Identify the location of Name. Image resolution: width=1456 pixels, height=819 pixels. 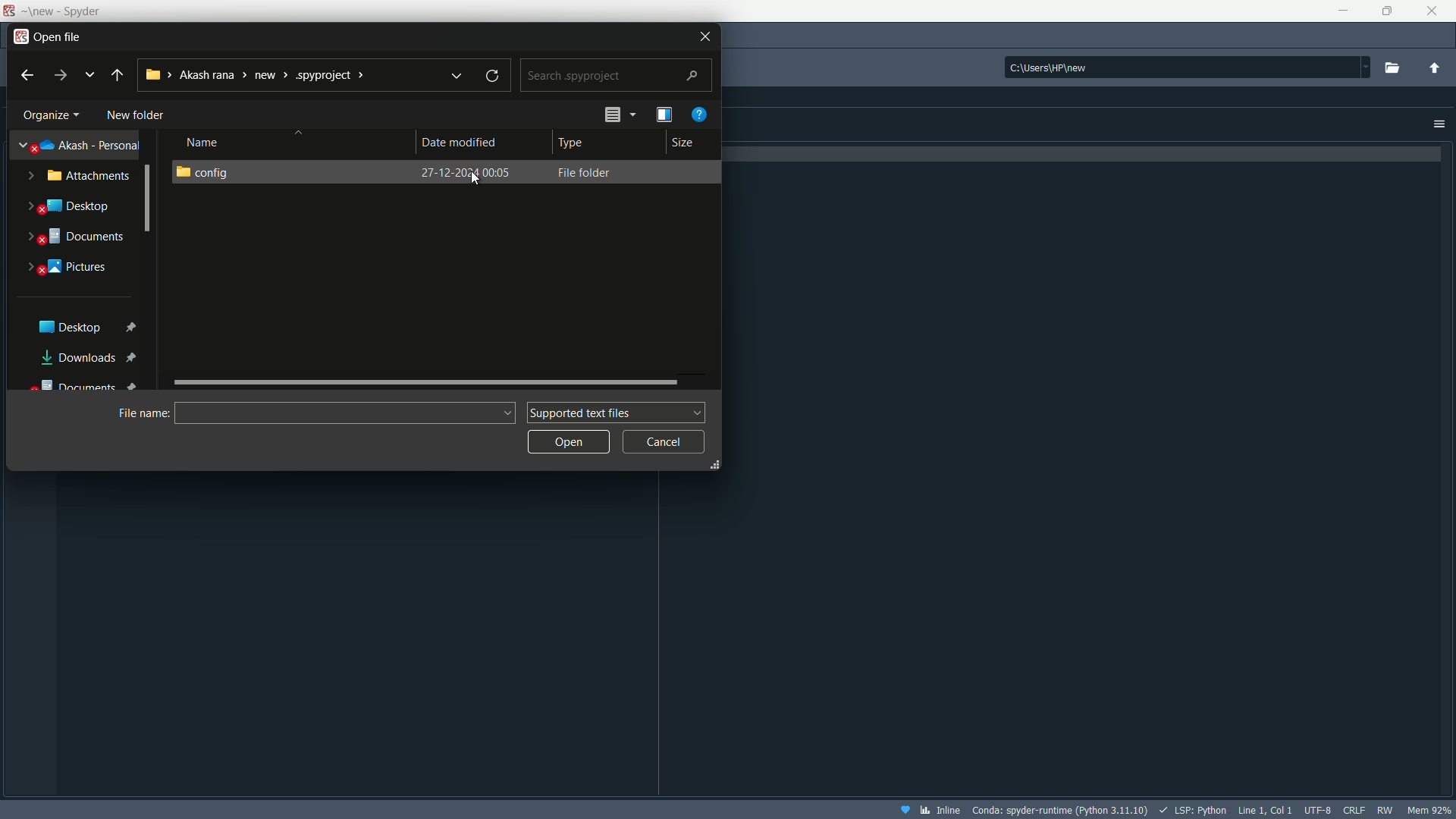
(206, 141).